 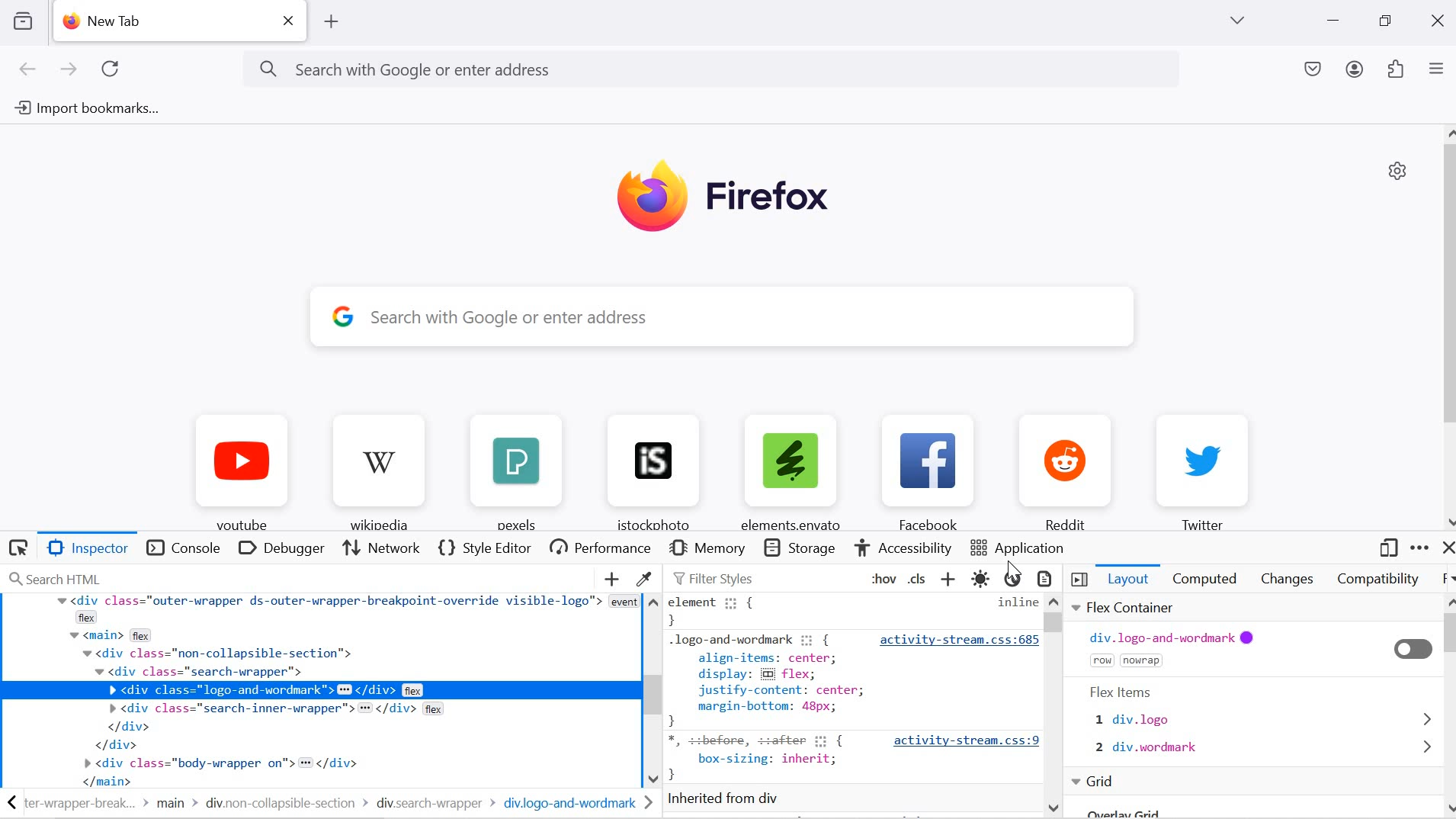 What do you see at coordinates (792, 471) in the screenshot?
I see `elements.envato` at bounding box center [792, 471].